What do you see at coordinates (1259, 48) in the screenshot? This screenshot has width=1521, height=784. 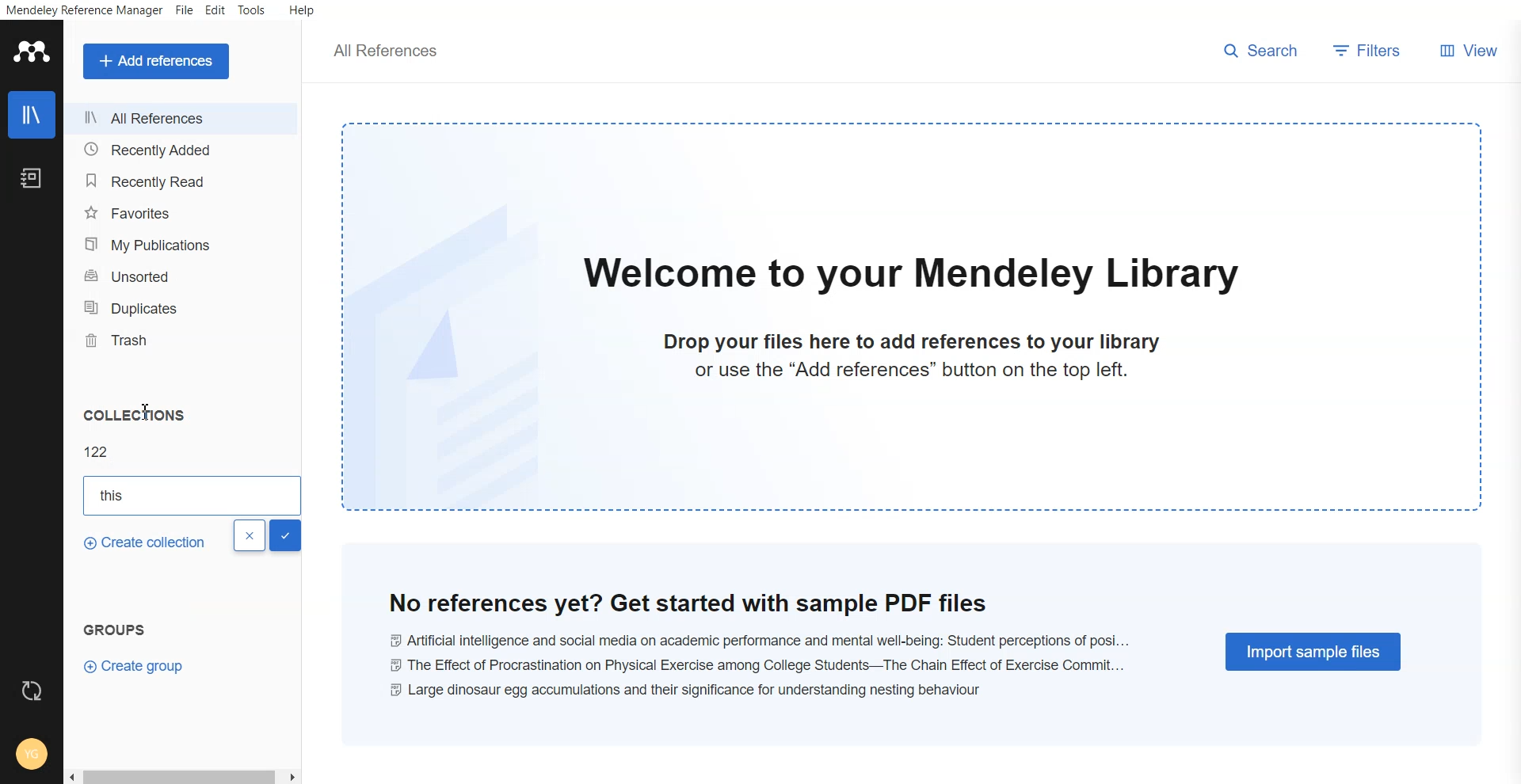 I see `search` at bounding box center [1259, 48].